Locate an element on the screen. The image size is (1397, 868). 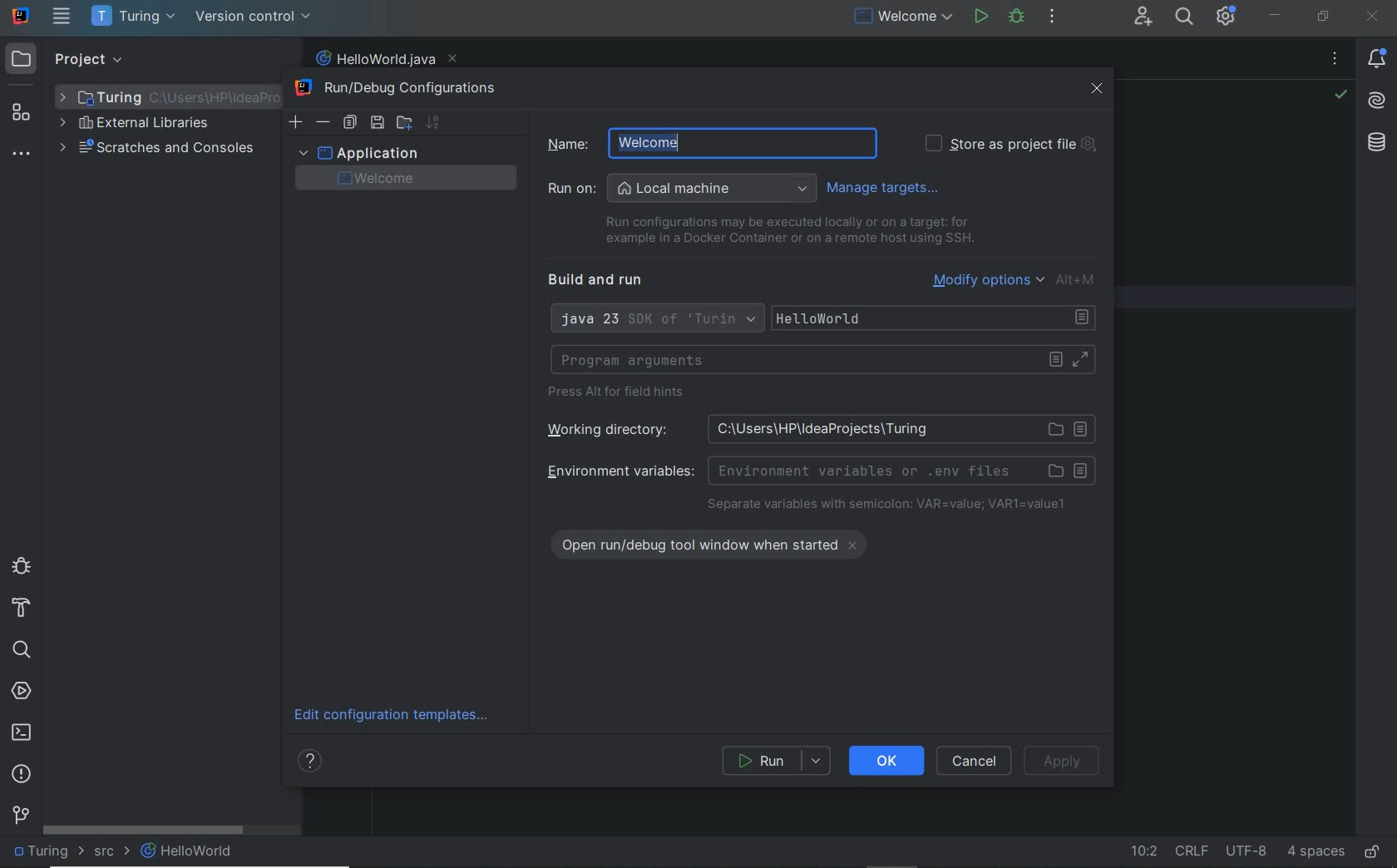
AI Assistant is located at coordinates (1377, 104).